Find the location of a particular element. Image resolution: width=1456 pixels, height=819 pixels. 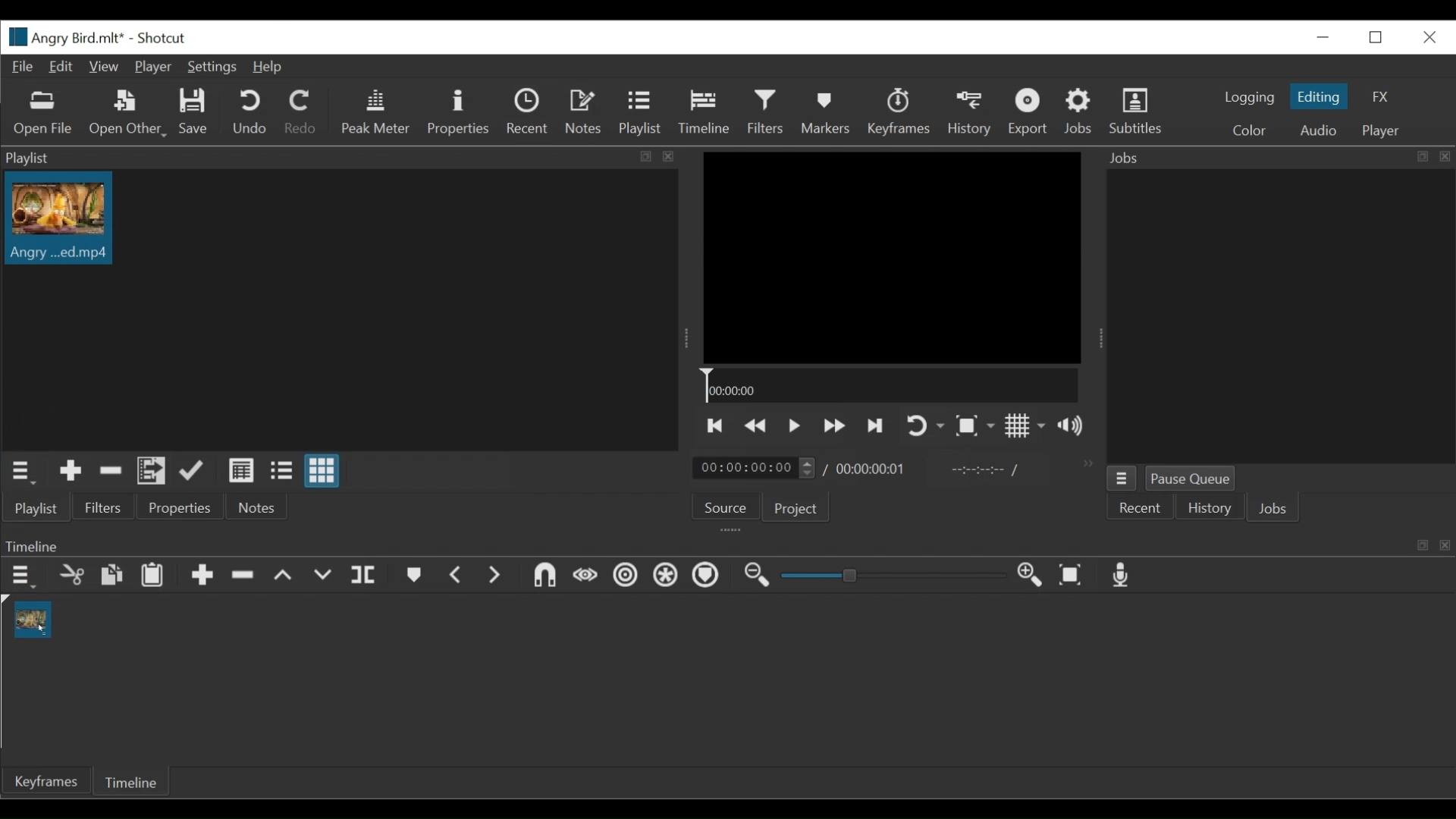

Timeline is located at coordinates (889, 386).